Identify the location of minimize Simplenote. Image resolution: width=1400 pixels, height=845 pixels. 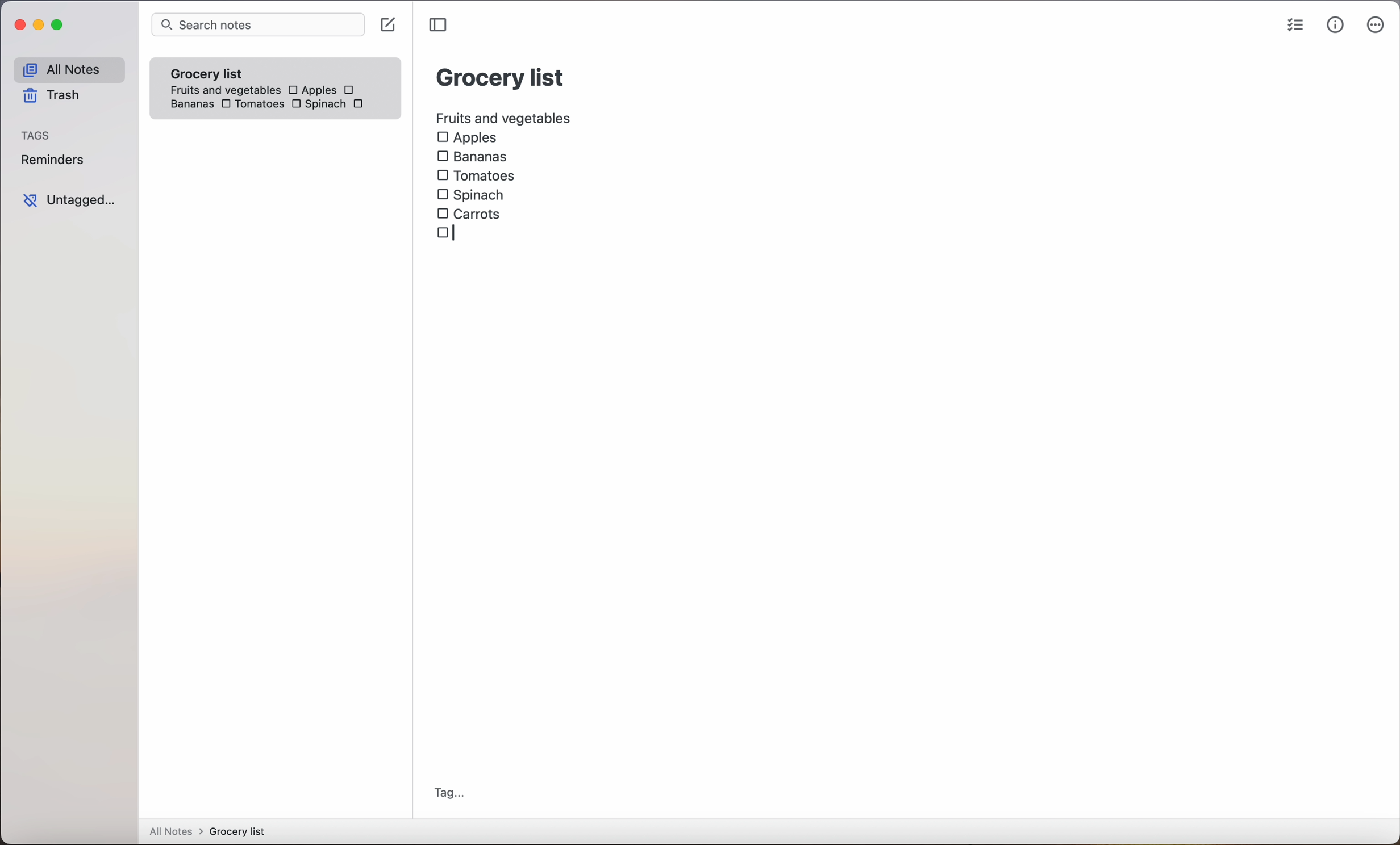
(41, 27).